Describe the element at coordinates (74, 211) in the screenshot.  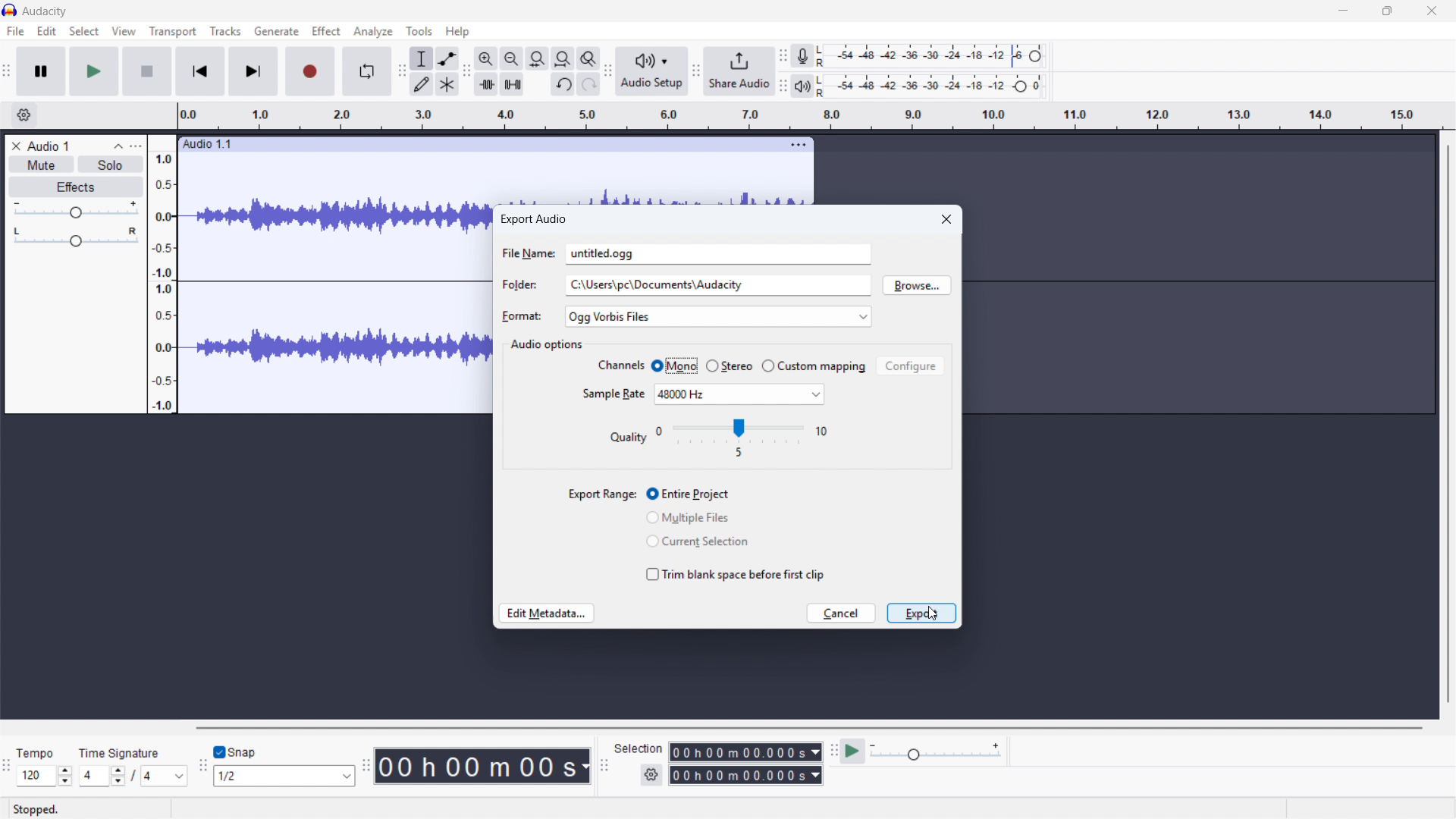
I see `gain ` at that location.